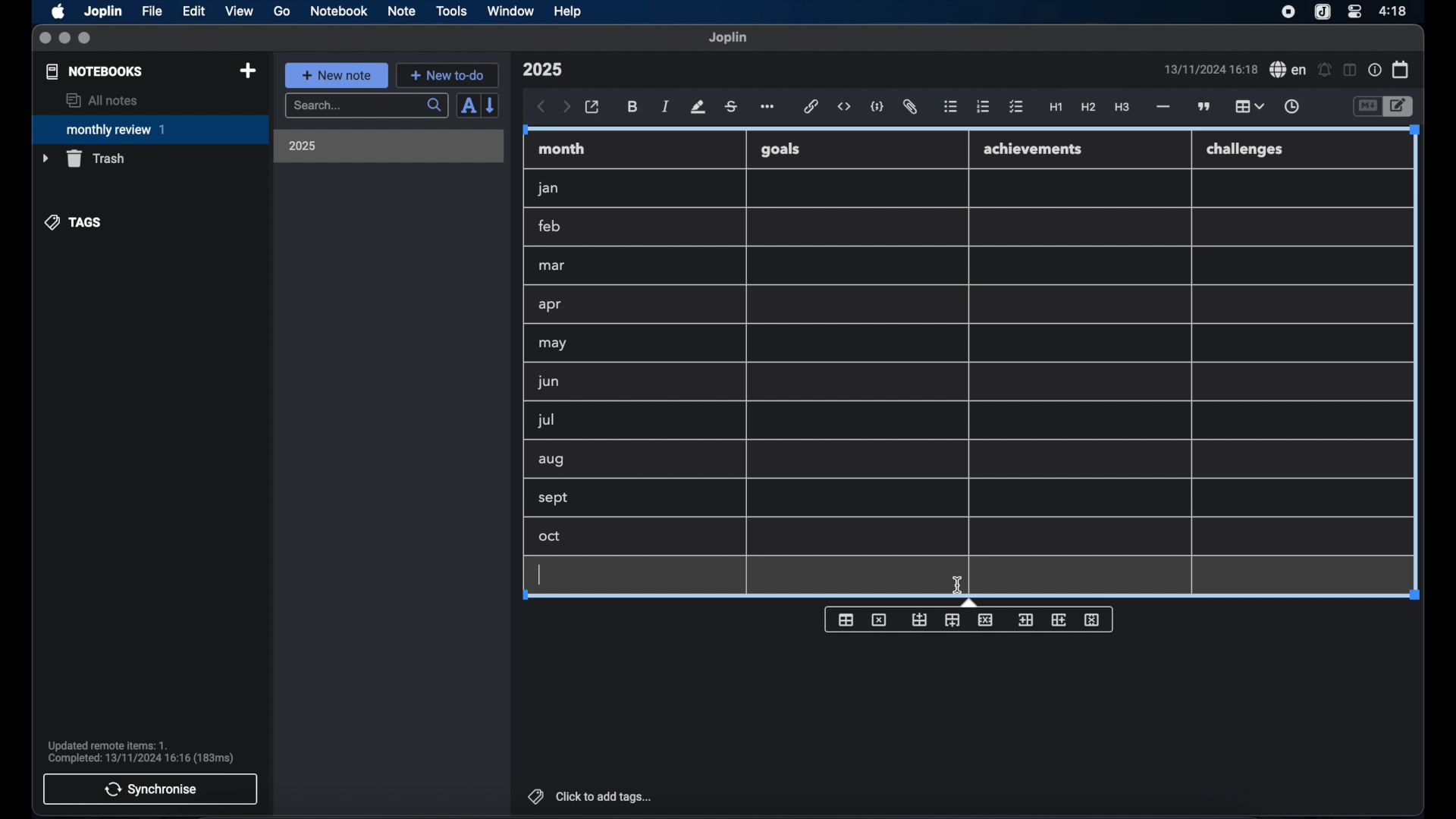  Describe the element at coordinates (282, 11) in the screenshot. I see `go` at that location.